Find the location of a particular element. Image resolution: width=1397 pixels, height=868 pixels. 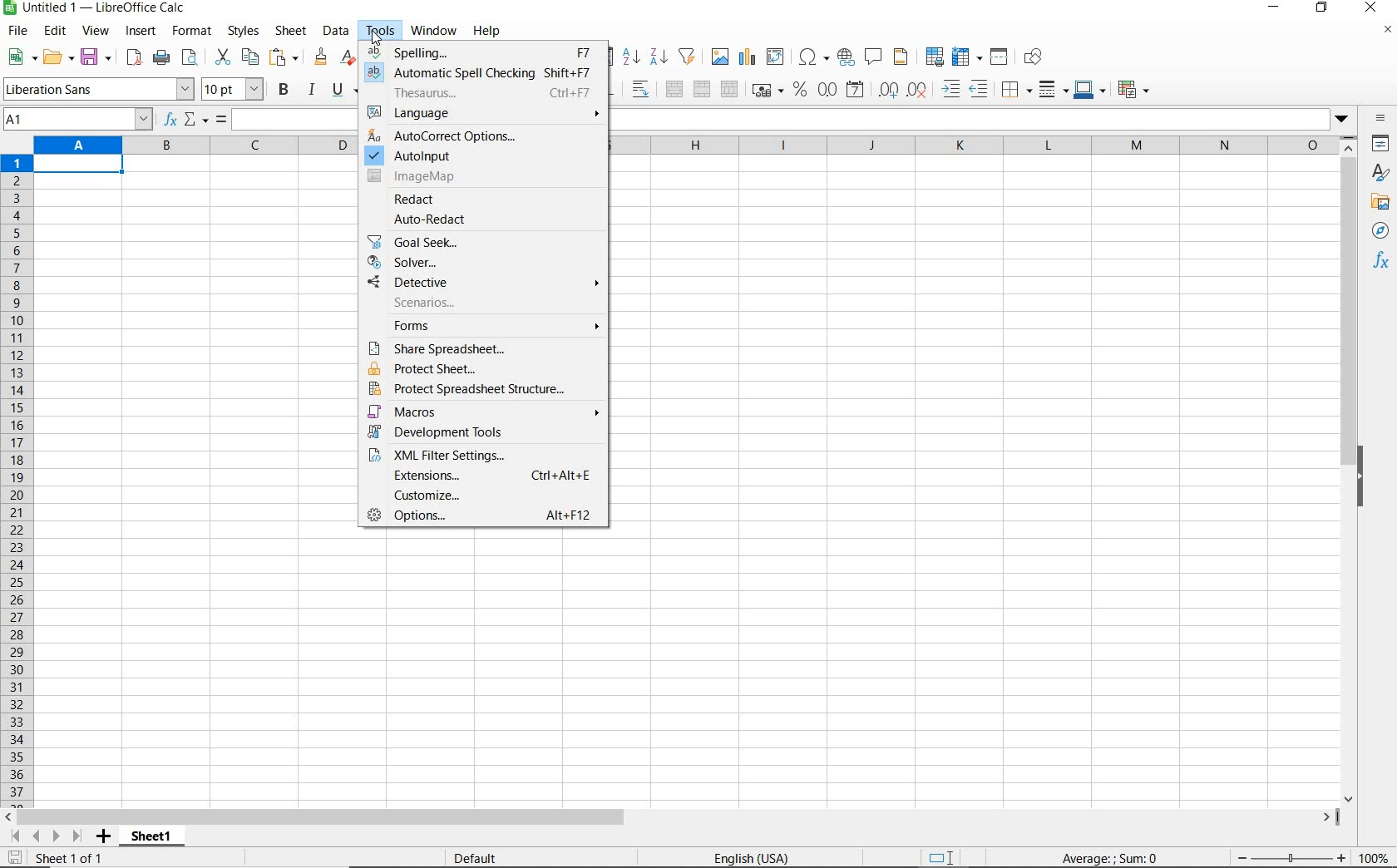

solver is located at coordinates (482, 262).